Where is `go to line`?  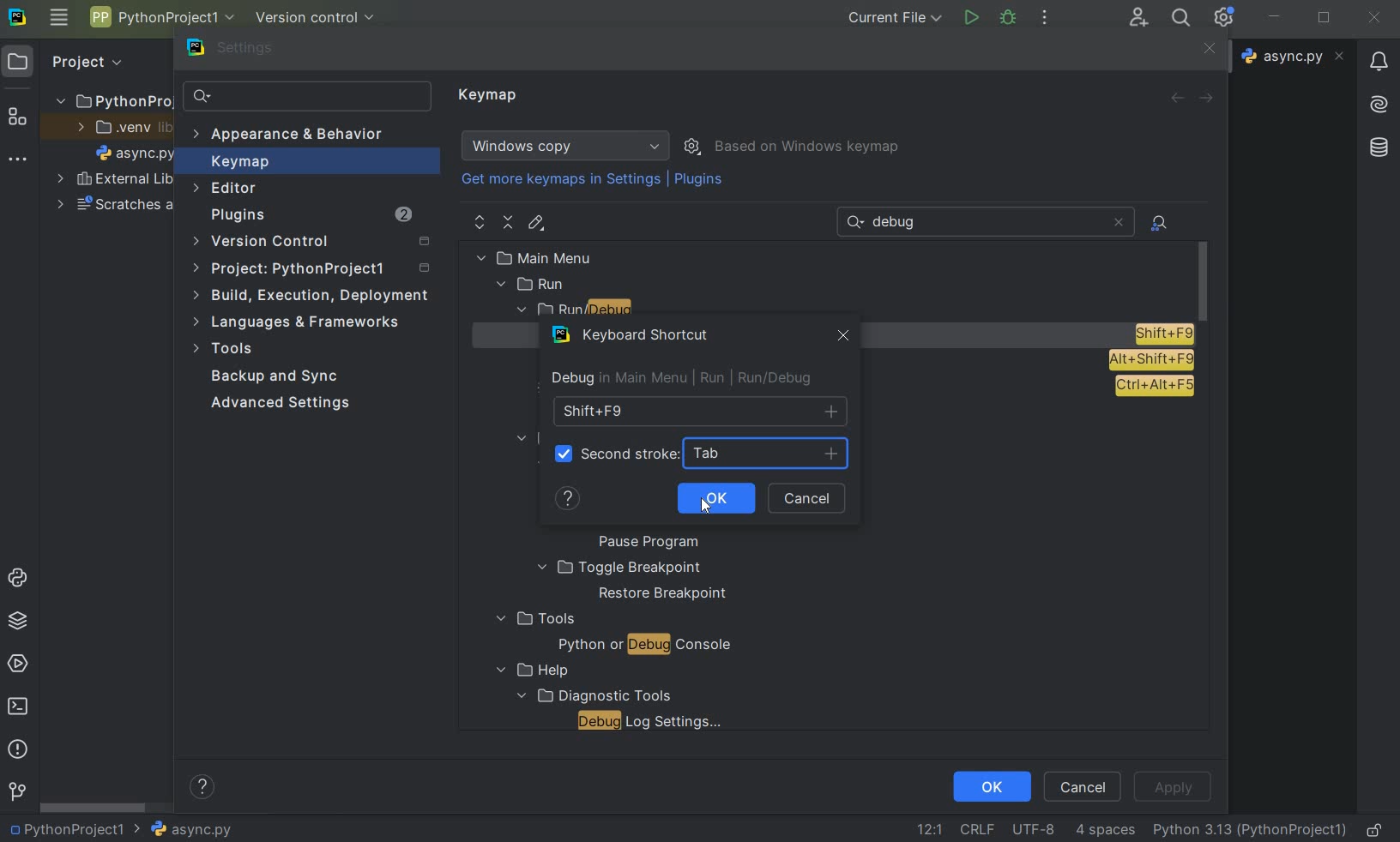
go to line is located at coordinates (929, 829).